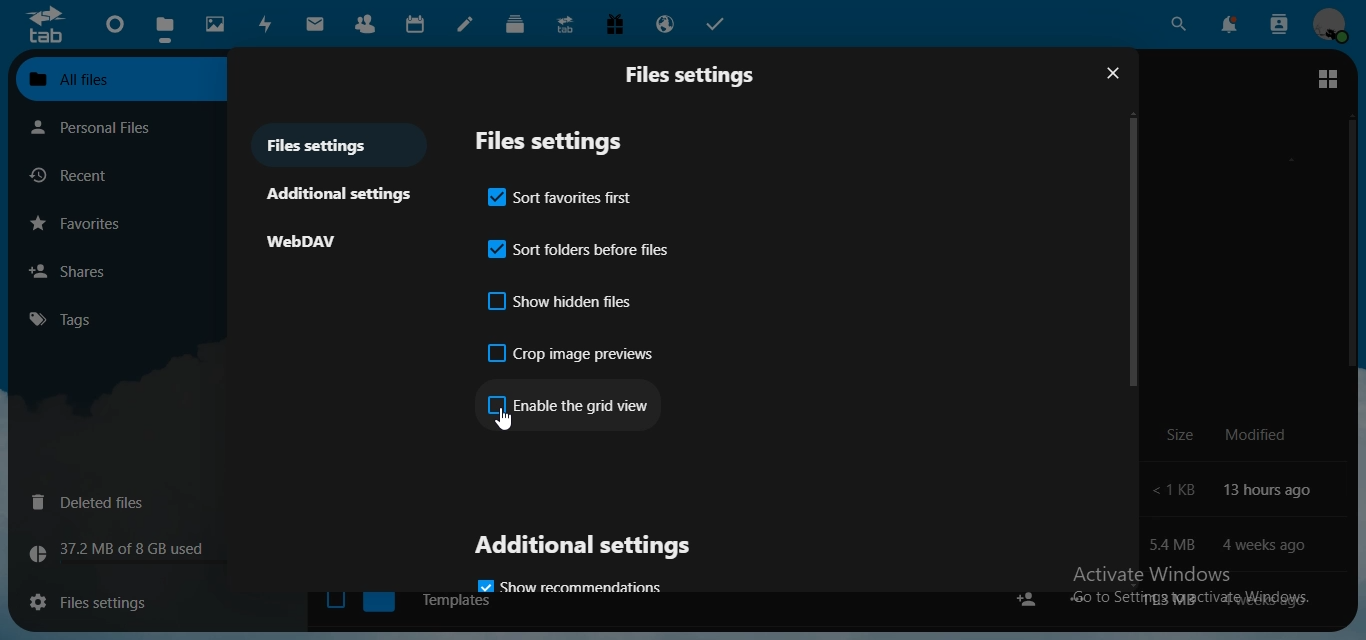  Describe the element at coordinates (75, 176) in the screenshot. I see `recent` at that location.